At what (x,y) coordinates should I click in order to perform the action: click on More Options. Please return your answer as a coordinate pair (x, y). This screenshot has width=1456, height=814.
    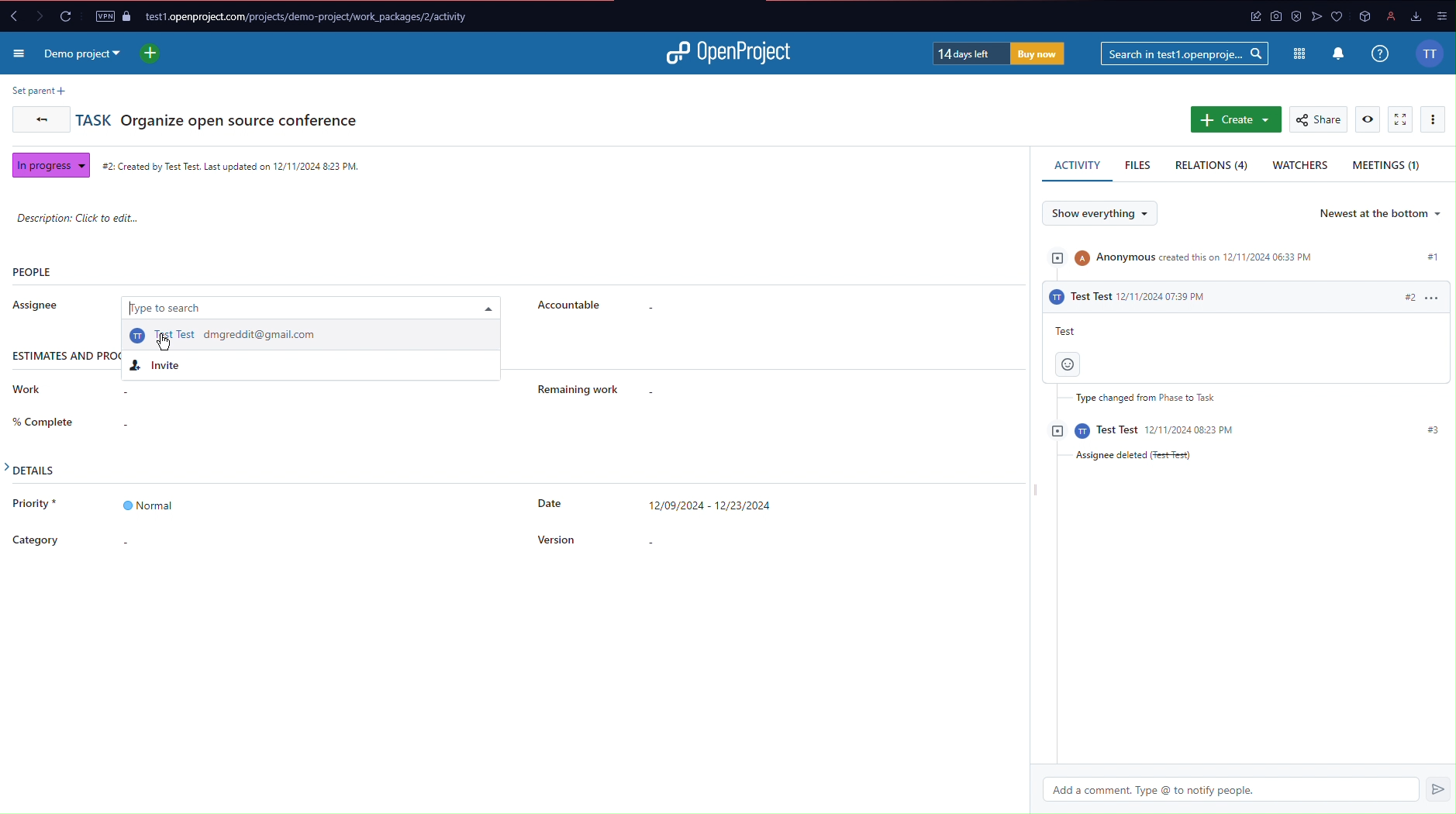
    Looking at the image, I should click on (1435, 120).